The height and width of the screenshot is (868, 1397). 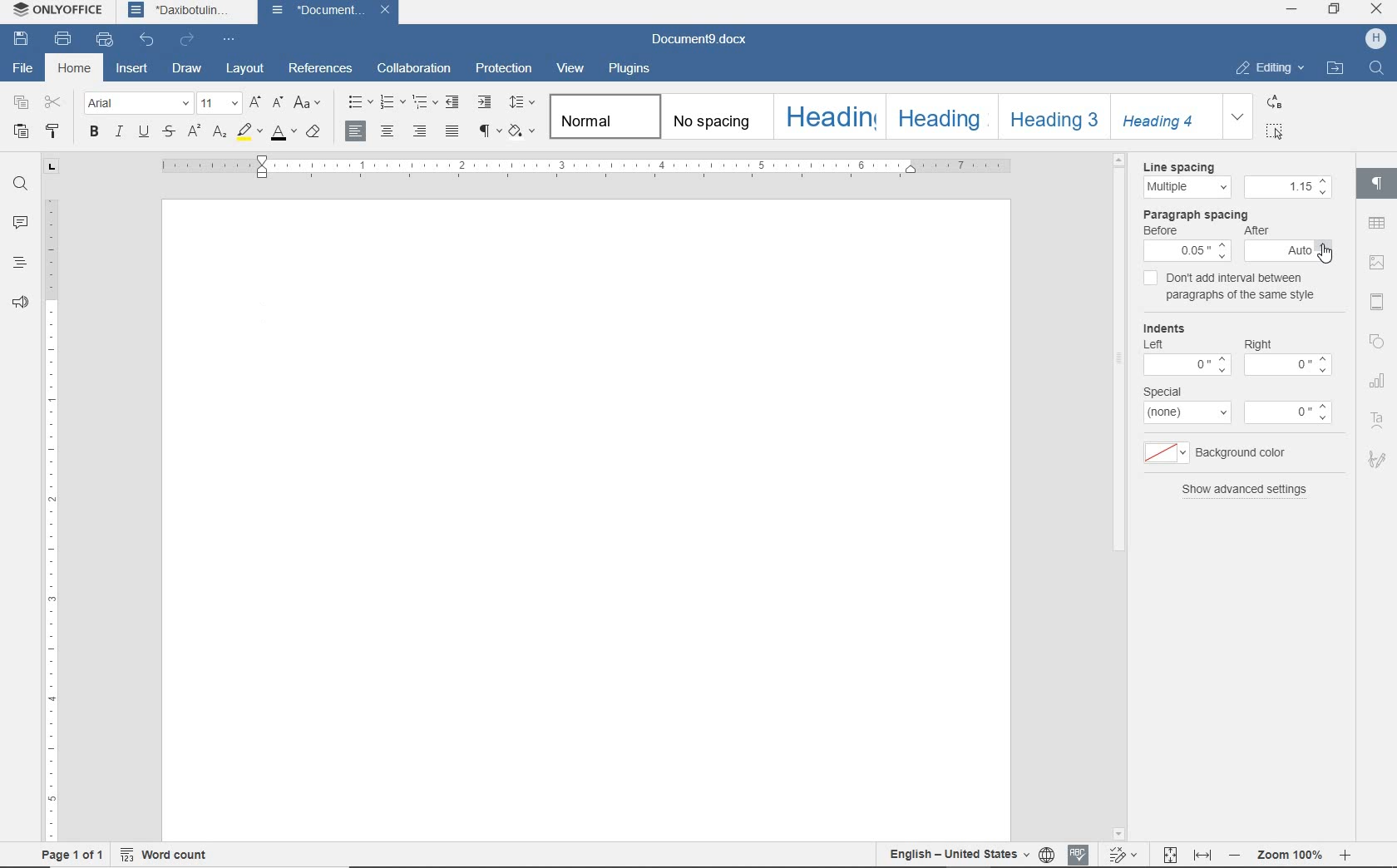 What do you see at coordinates (230, 40) in the screenshot?
I see `customize quick access toolbar` at bounding box center [230, 40].